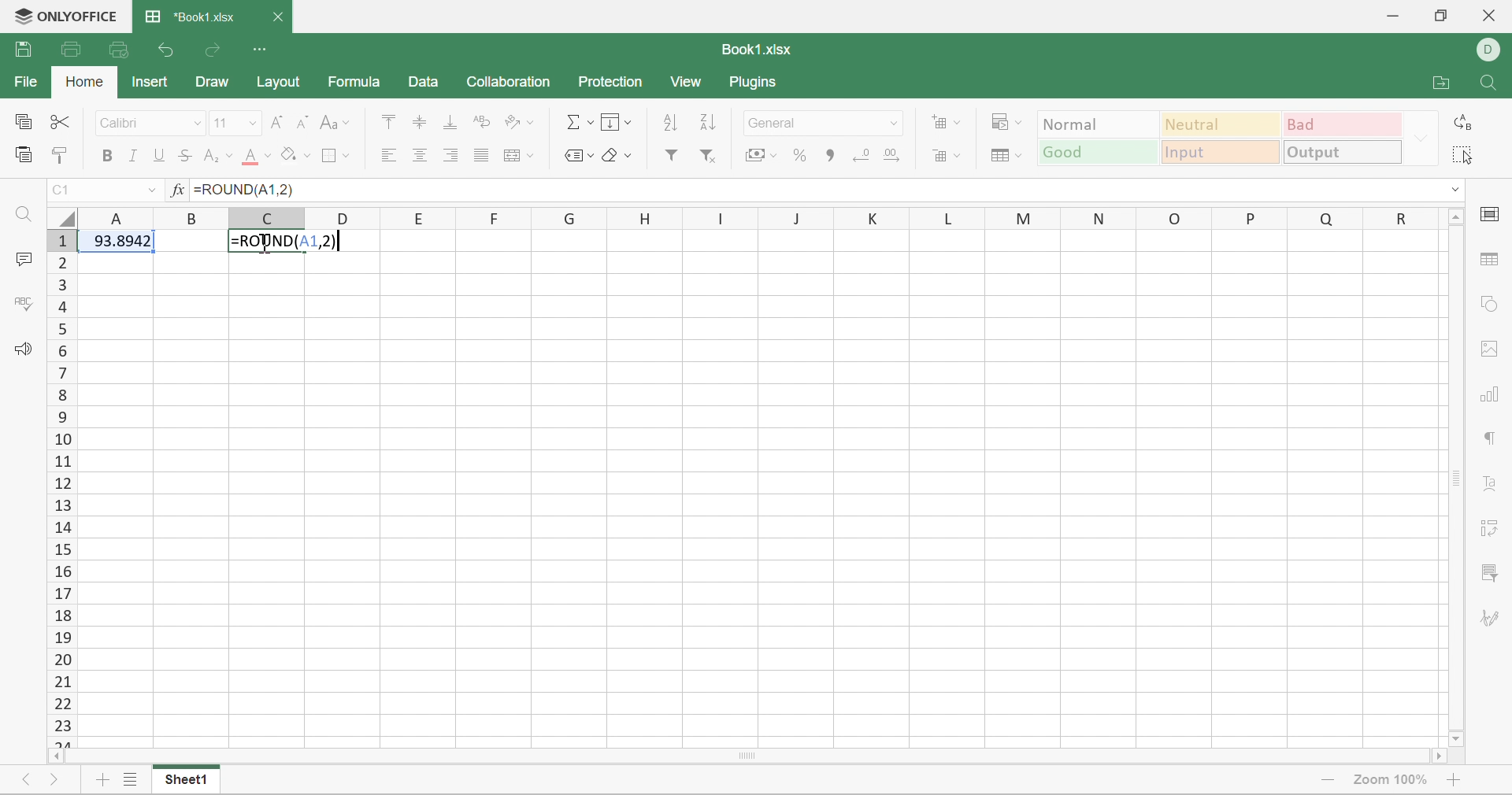 The image size is (1512, 795). Describe the element at coordinates (160, 155) in the screenshot. I see `Underline` at that location.